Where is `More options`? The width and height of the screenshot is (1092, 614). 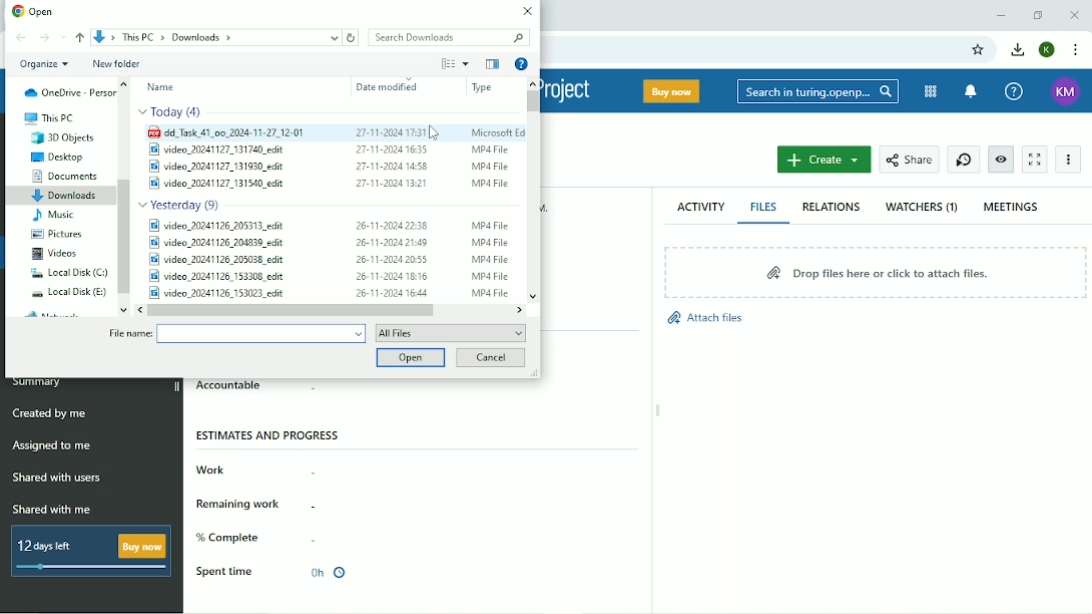 More options is located at coordinates (465, 64).